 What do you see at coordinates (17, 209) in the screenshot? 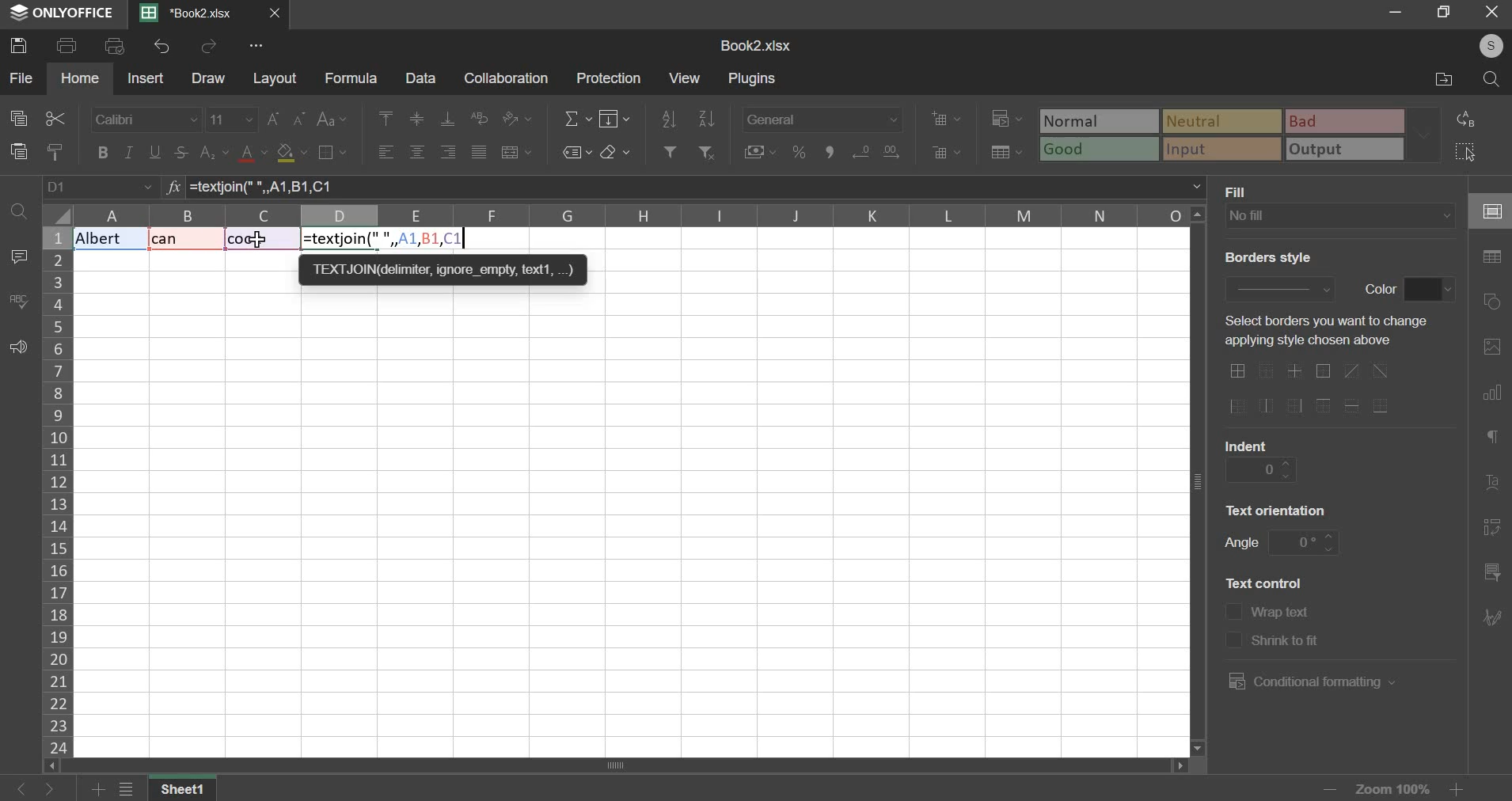
I see `find` at bounding box center [17, 209].